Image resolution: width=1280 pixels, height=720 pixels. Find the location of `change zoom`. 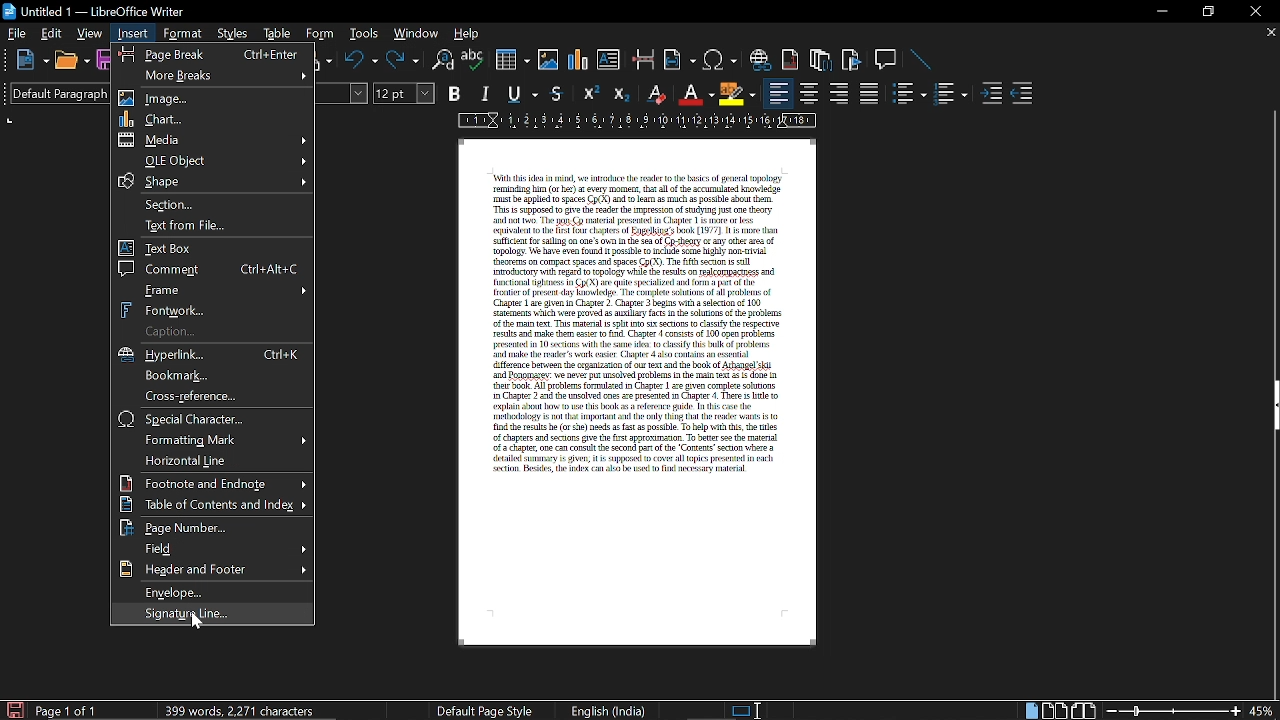

change zoom is located at coordinates (1170, 711).